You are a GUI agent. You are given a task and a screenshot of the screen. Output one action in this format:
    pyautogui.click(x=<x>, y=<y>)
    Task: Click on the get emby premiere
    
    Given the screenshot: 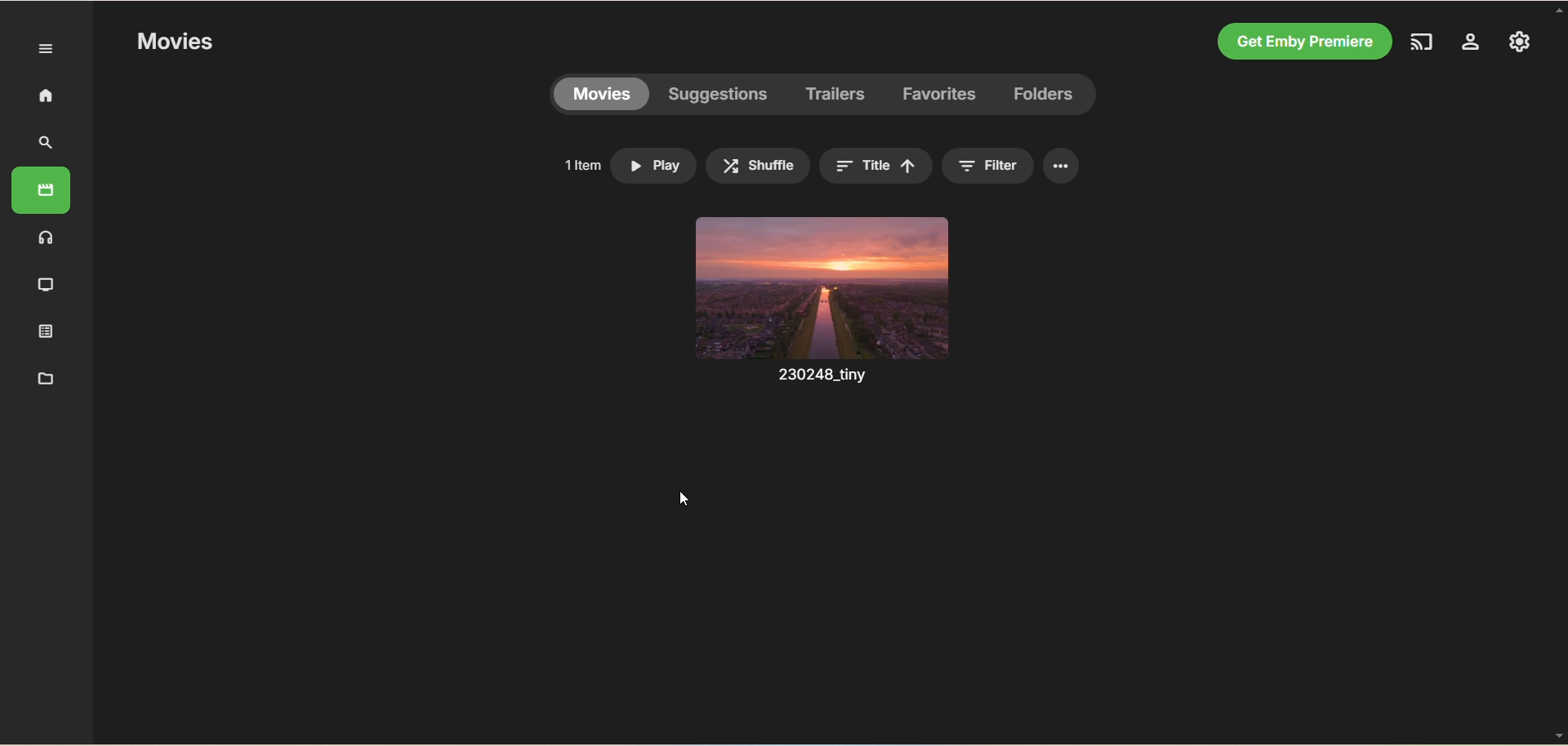 What is the action you would take?
    pyautogui.click(x=1302, y=41)
    